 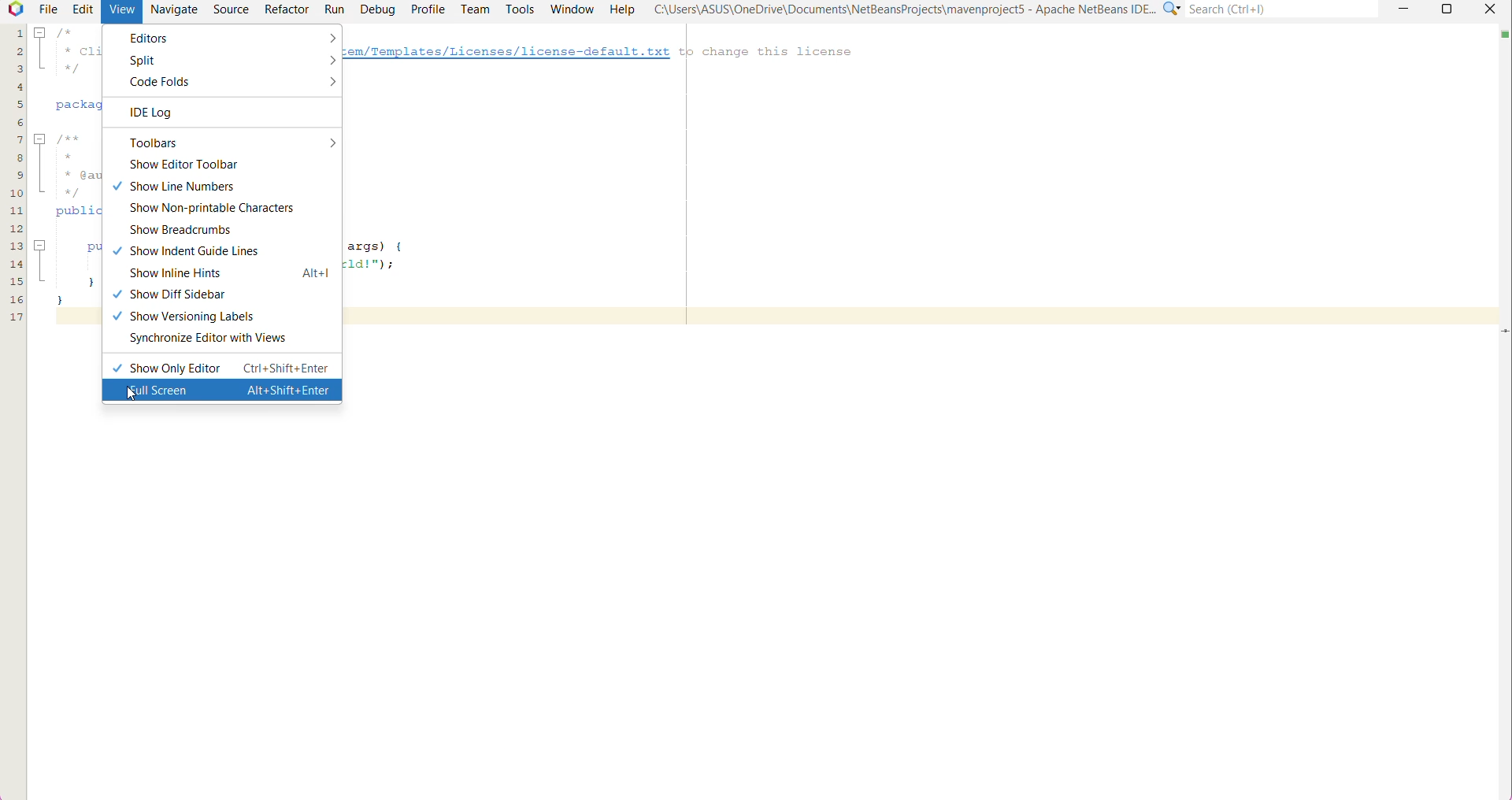 I want to click on Close, so click(x=1489, y=9).